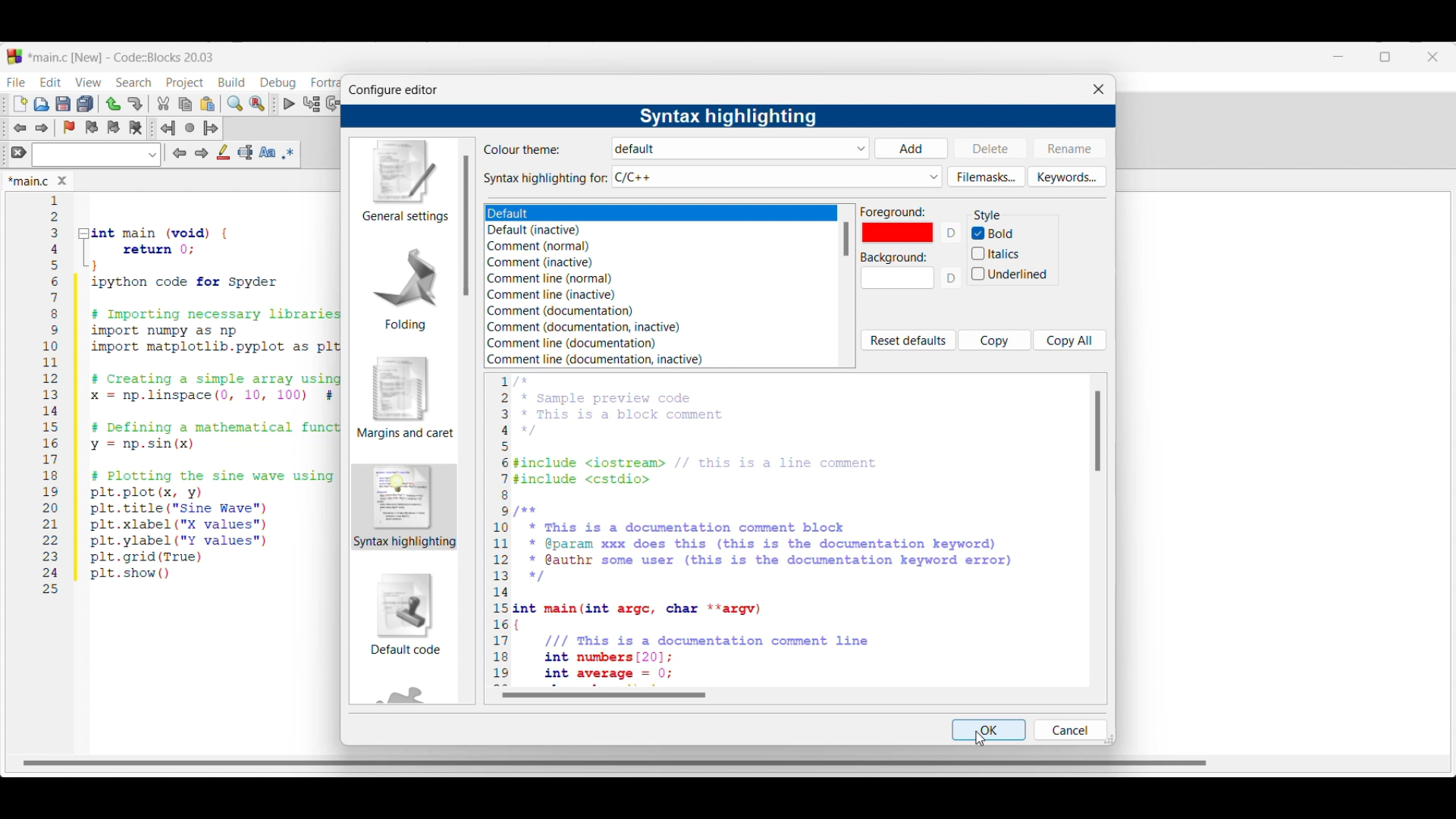 This screenshot has height=819, width=1456. I want to click on Indicates color theme options, so click(523, 149).